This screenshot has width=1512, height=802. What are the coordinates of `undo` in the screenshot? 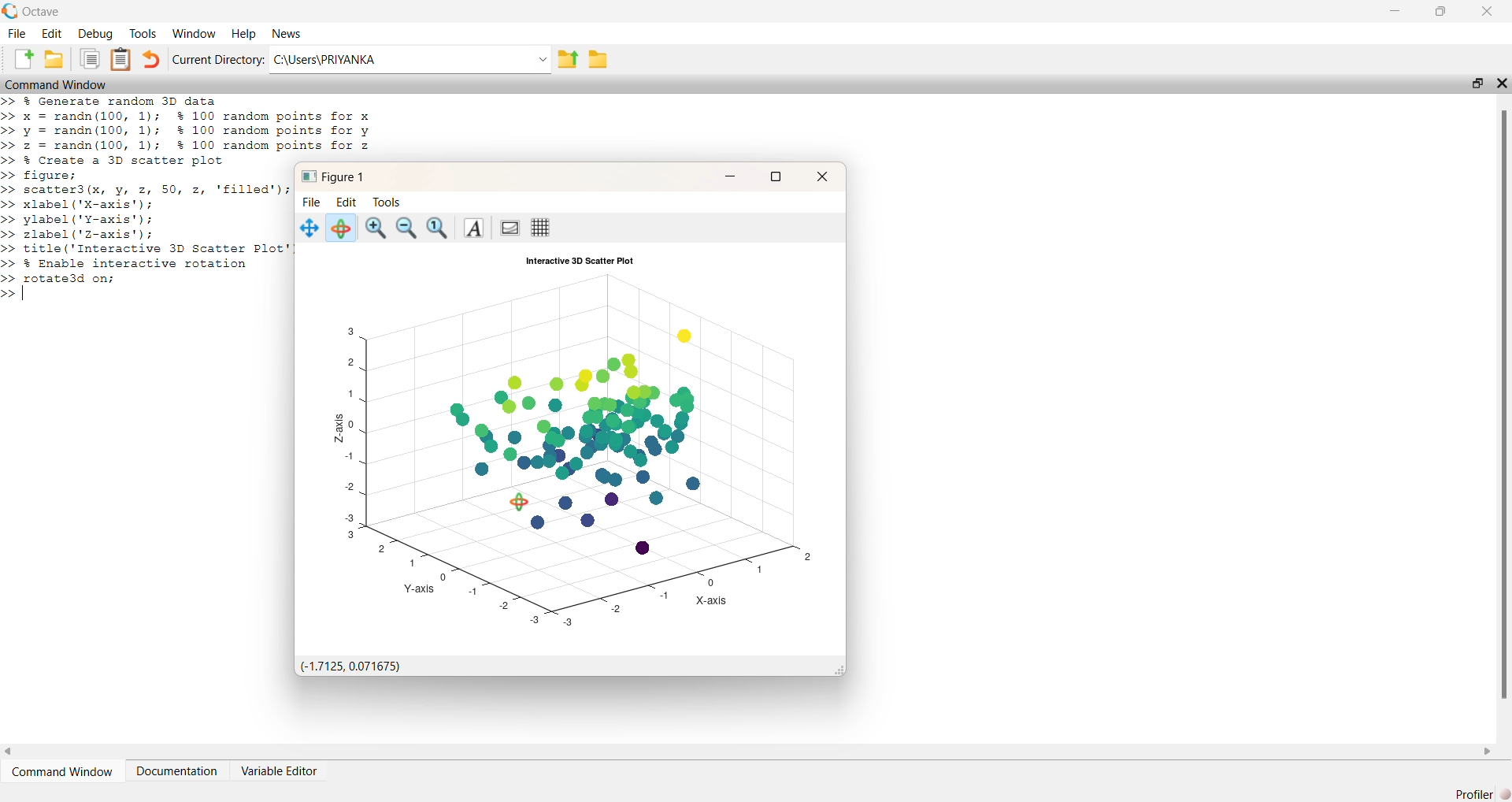 It's located at (151, 59).